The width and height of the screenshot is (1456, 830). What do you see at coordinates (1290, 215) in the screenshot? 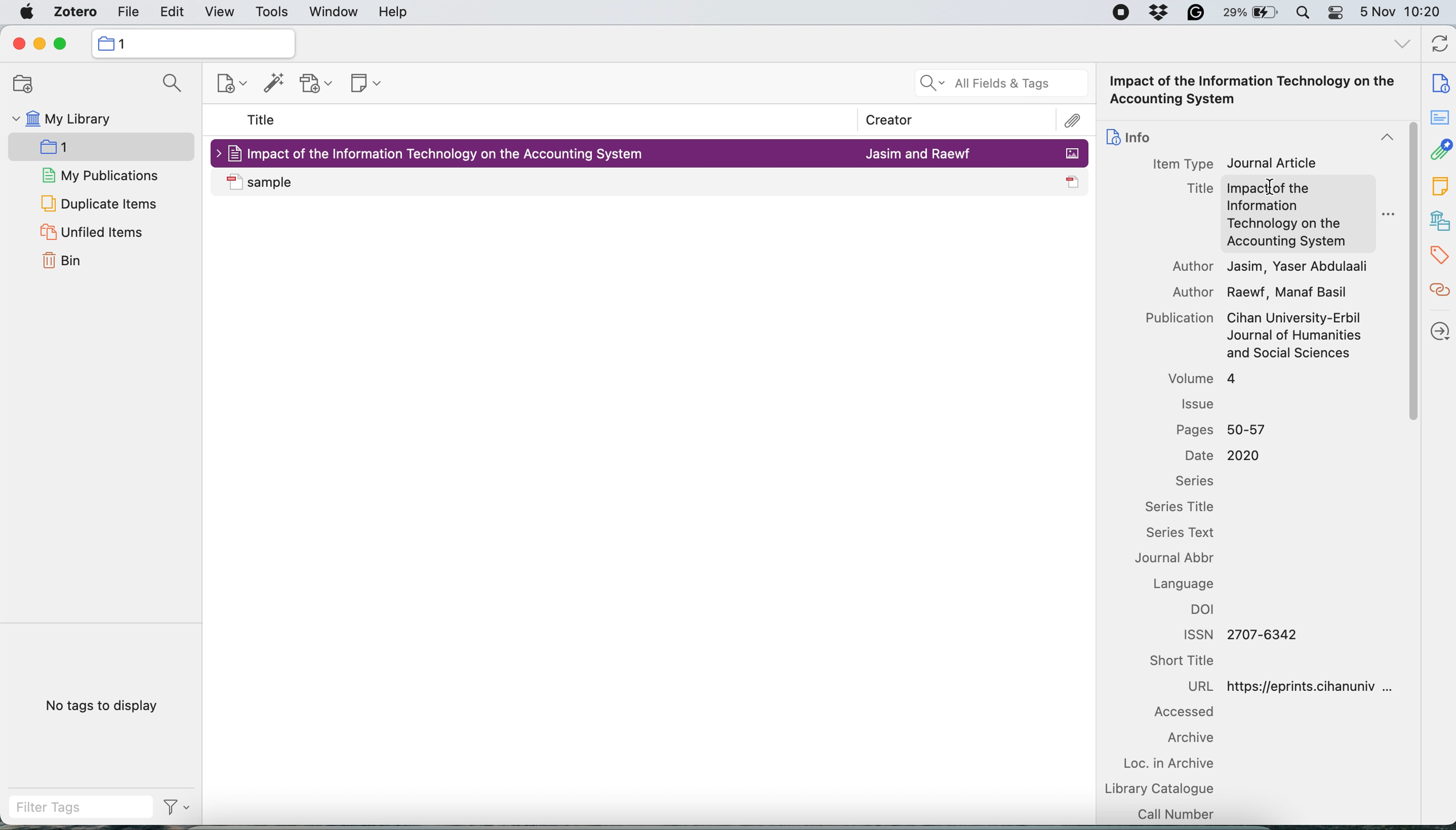
I see `Impact of the Information Technology on the Accounting System` at bounding box center [1290, 215].